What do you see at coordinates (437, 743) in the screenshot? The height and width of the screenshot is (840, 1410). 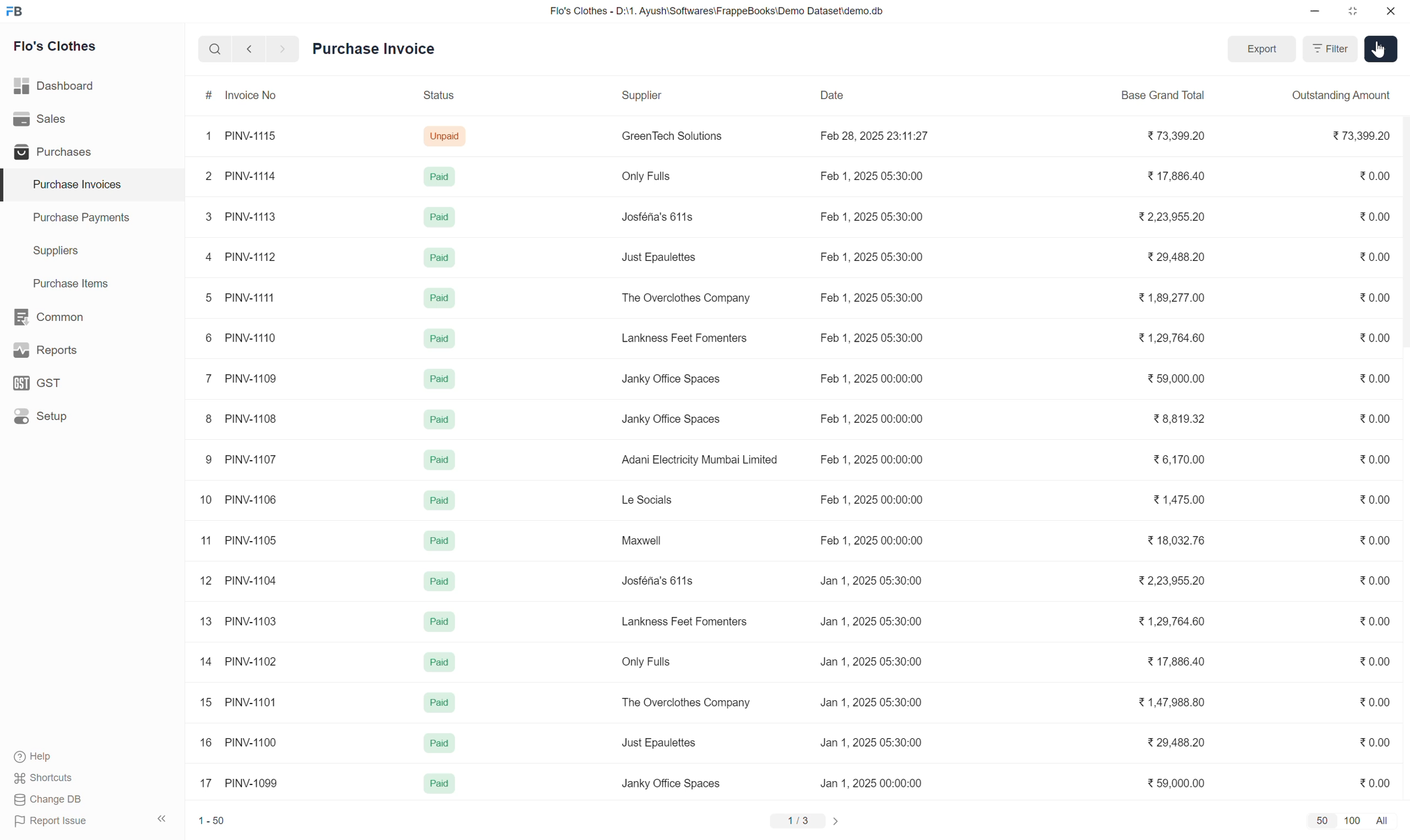 I see `Paid` at bounding box center [437, 743].